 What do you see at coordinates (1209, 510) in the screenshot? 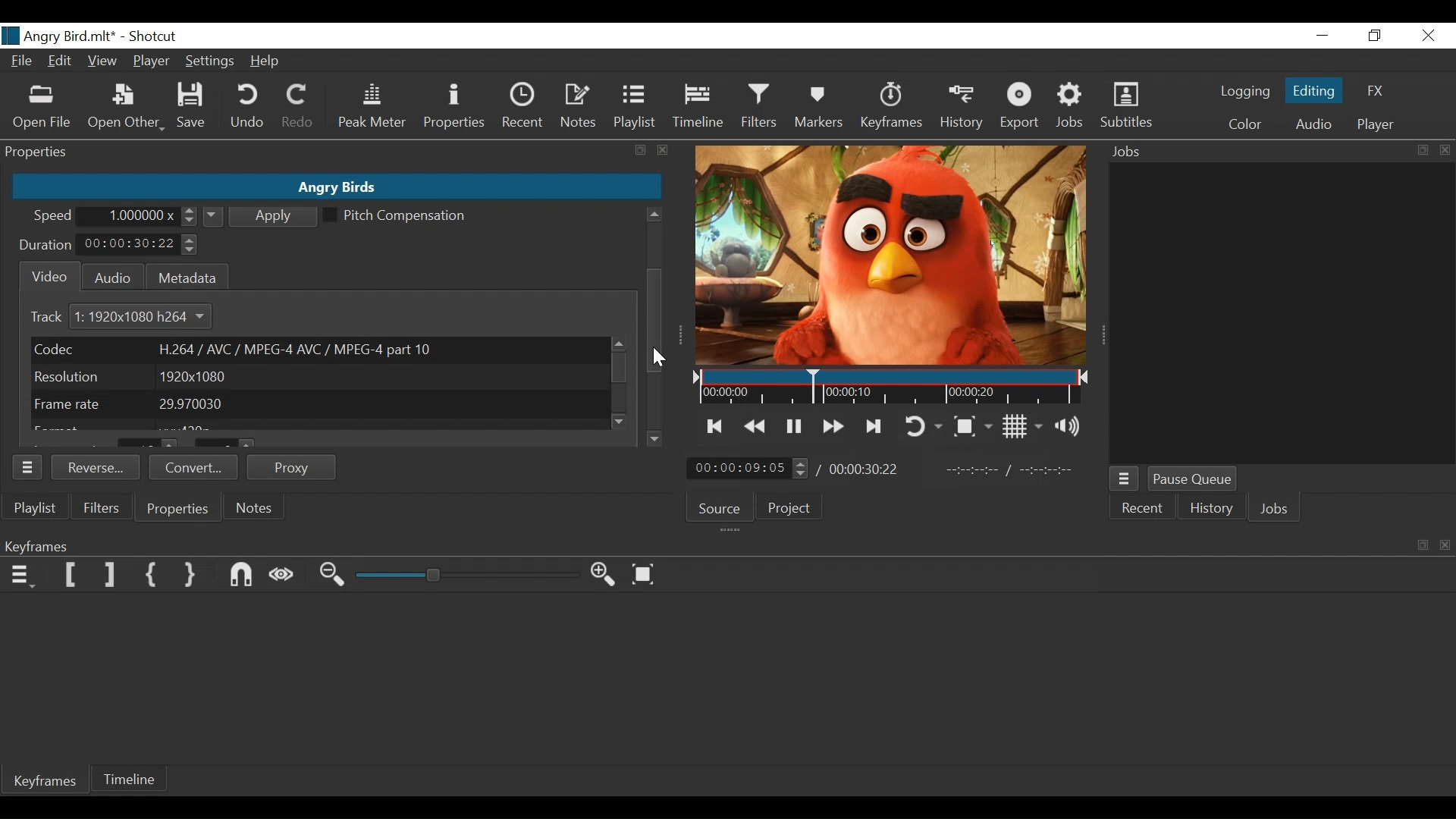
I see `History` at bounding box center [1209, 510].